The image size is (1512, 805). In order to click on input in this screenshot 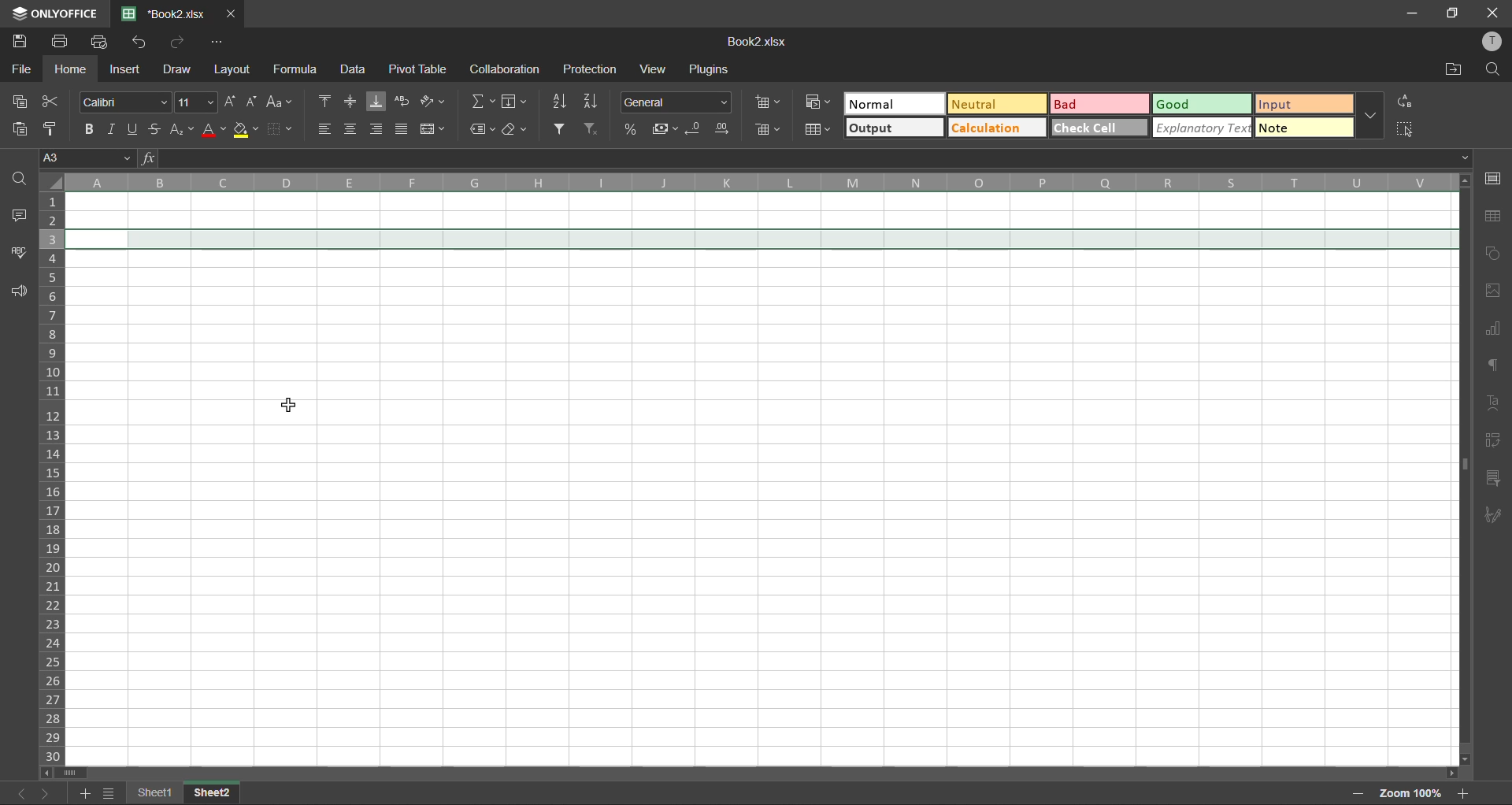, I will do `click(1299, 103)`.